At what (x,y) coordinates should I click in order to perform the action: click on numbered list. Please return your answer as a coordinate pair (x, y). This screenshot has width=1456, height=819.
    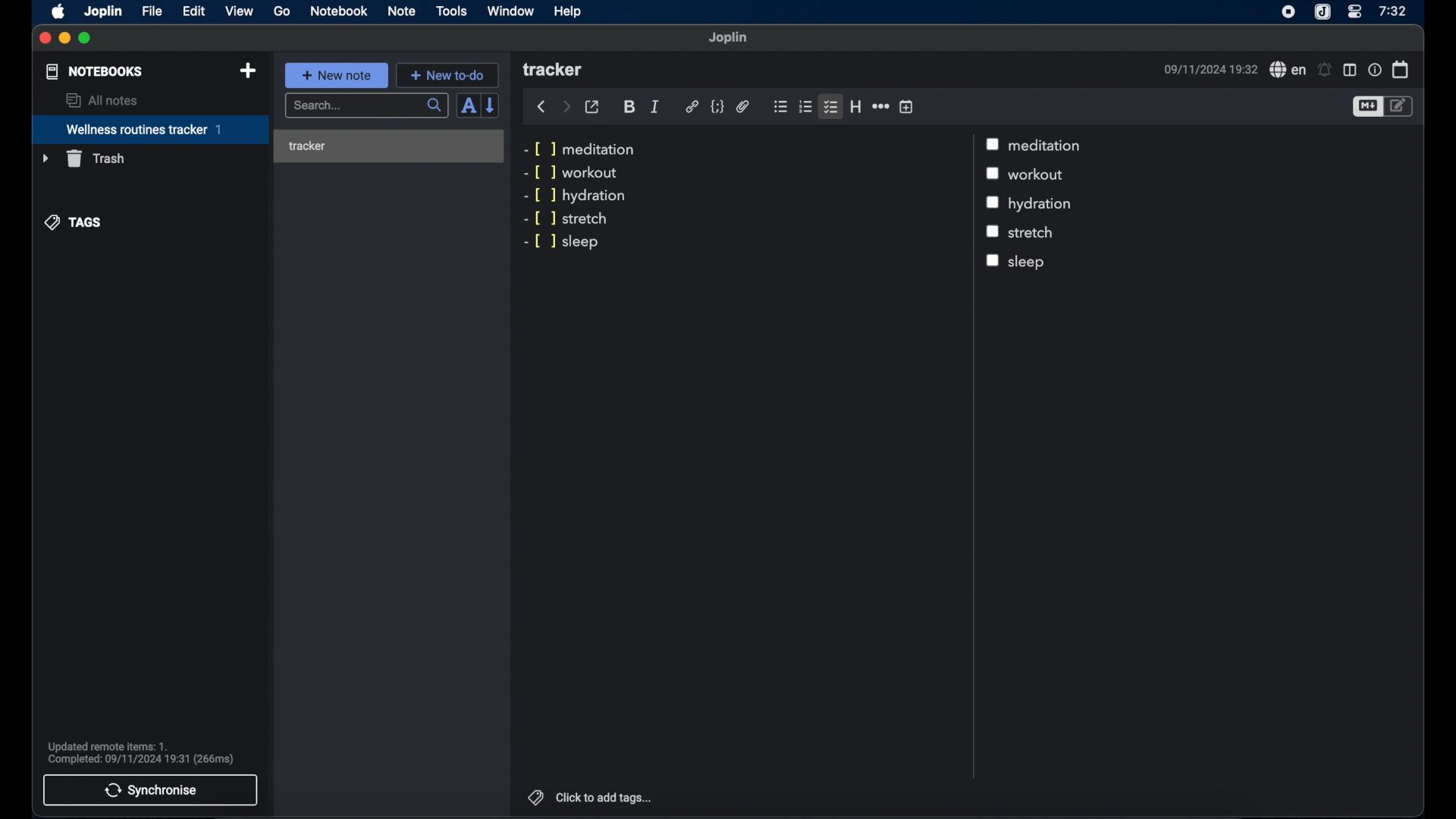
    Looking at the image, I should click on (805, 107).